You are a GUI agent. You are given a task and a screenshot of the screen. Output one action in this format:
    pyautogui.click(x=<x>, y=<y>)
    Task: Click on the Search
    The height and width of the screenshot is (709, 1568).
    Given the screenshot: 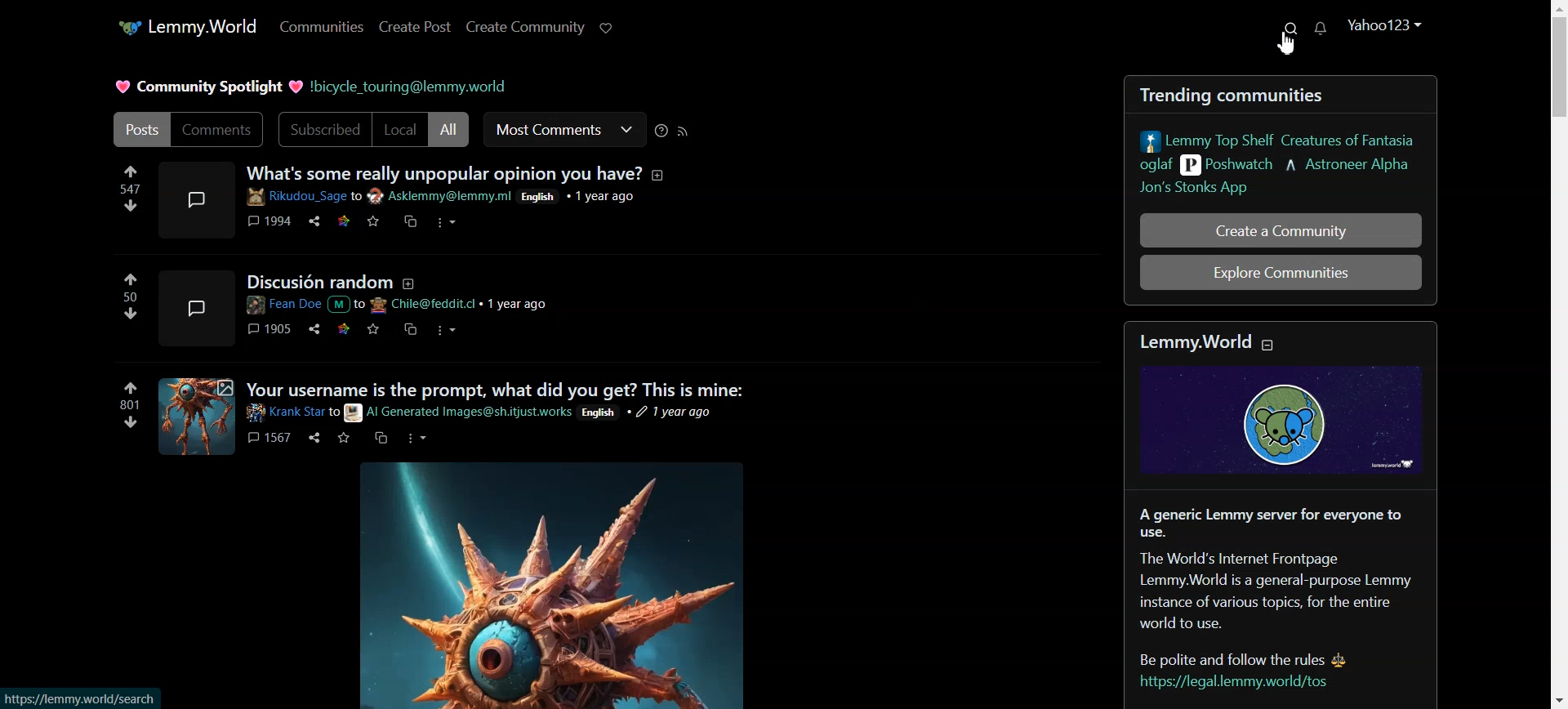 What is the action you would take?
    pyautogui.click(x=1292, y=28)
    